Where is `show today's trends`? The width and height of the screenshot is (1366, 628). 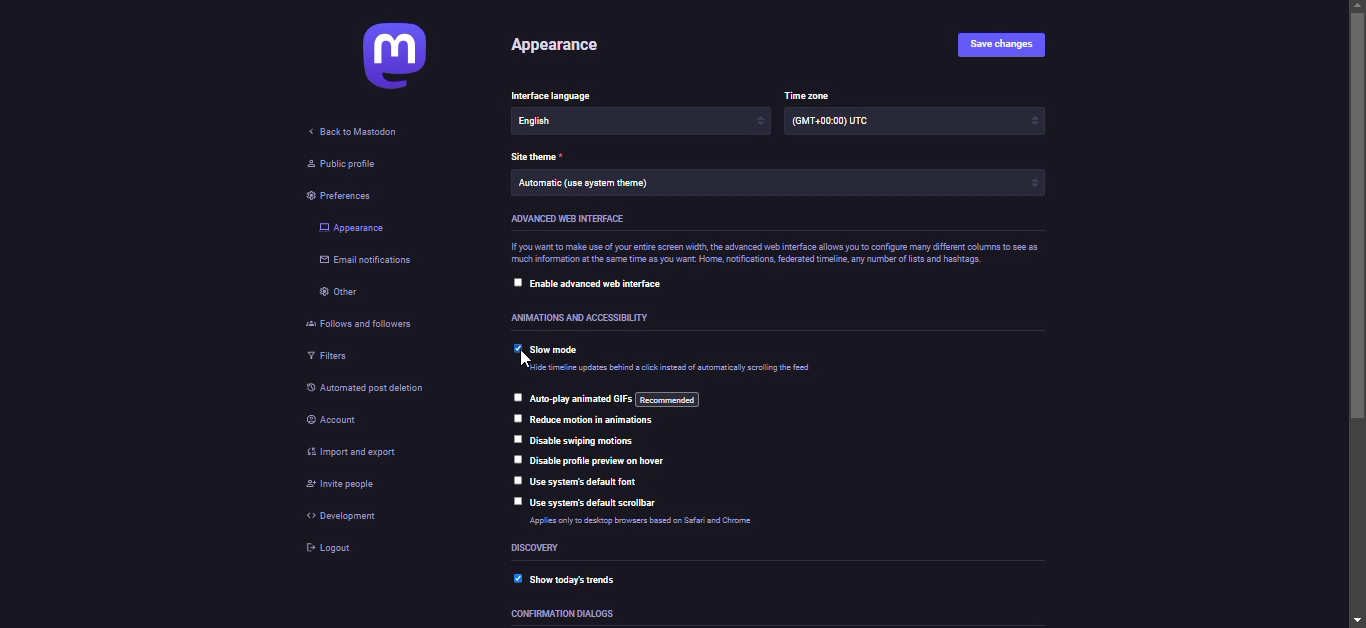 show today's trends is located at coordinates (583, 579).